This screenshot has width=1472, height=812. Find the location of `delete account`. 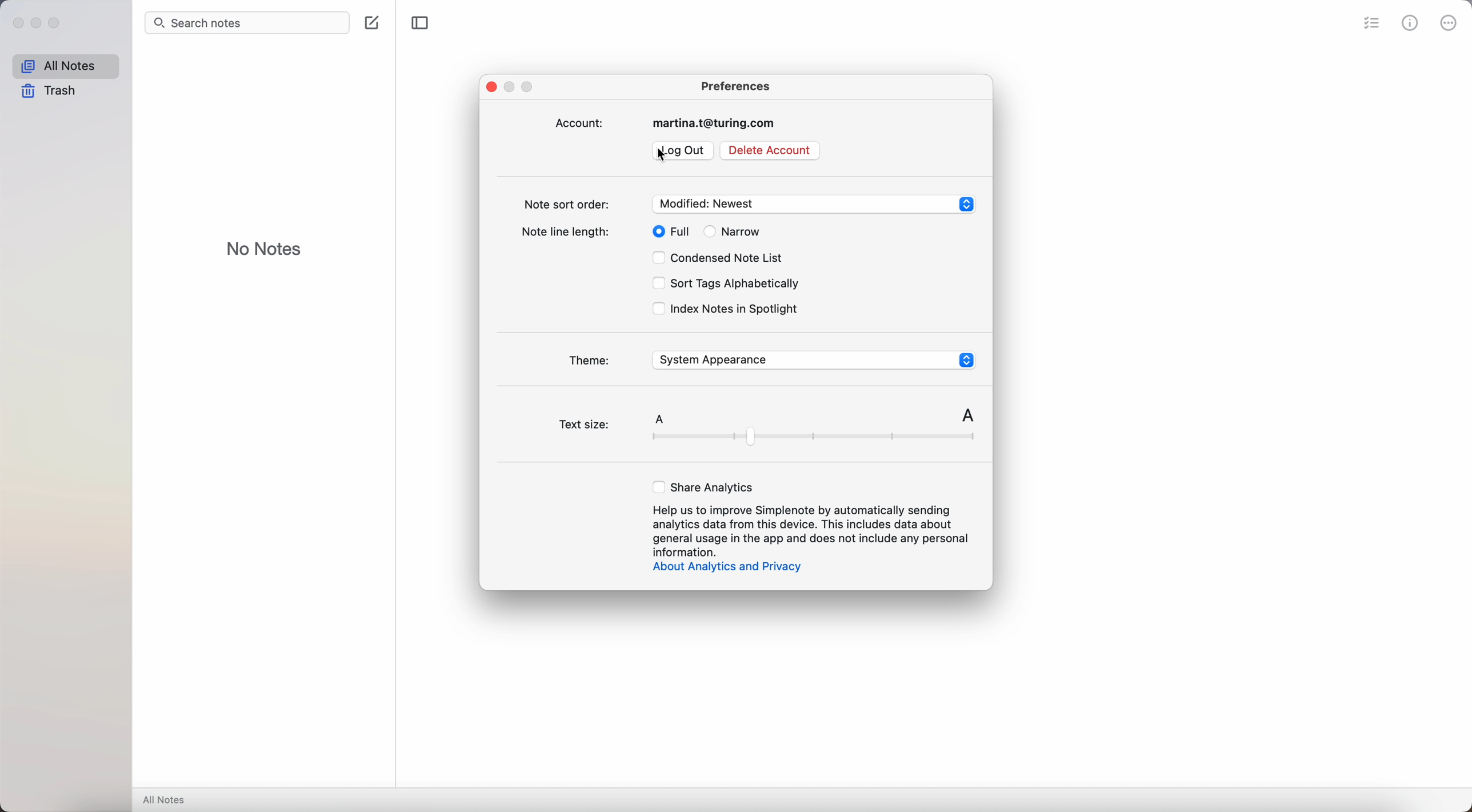

delete account is located at coordinates (770, 151).